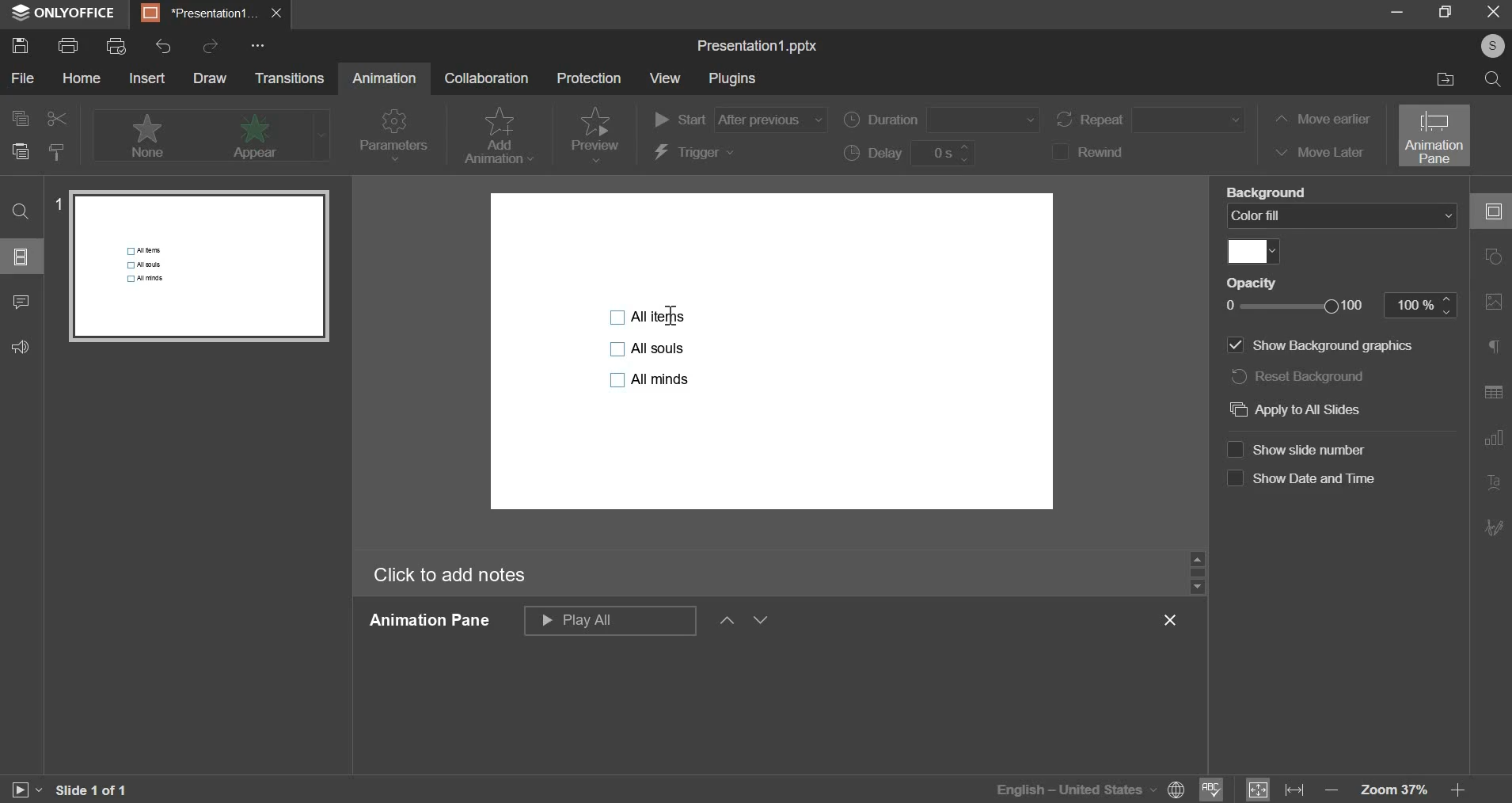  I want to click on slide preview, so click(199, 265).